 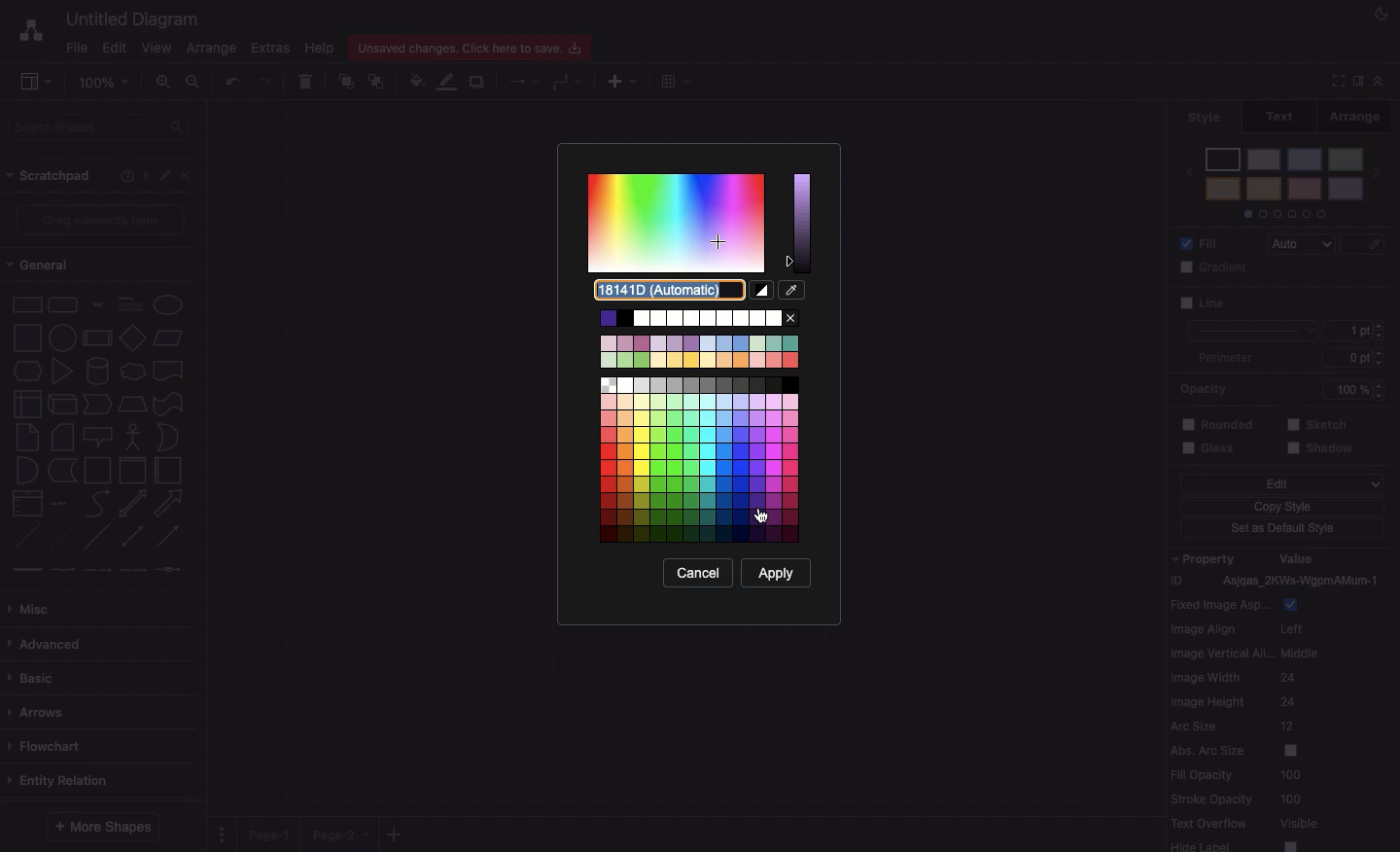 What do you see at coordinates (1379, 80) in the screenshot?
I see `Collapse` at bounding box center [1379, 80].